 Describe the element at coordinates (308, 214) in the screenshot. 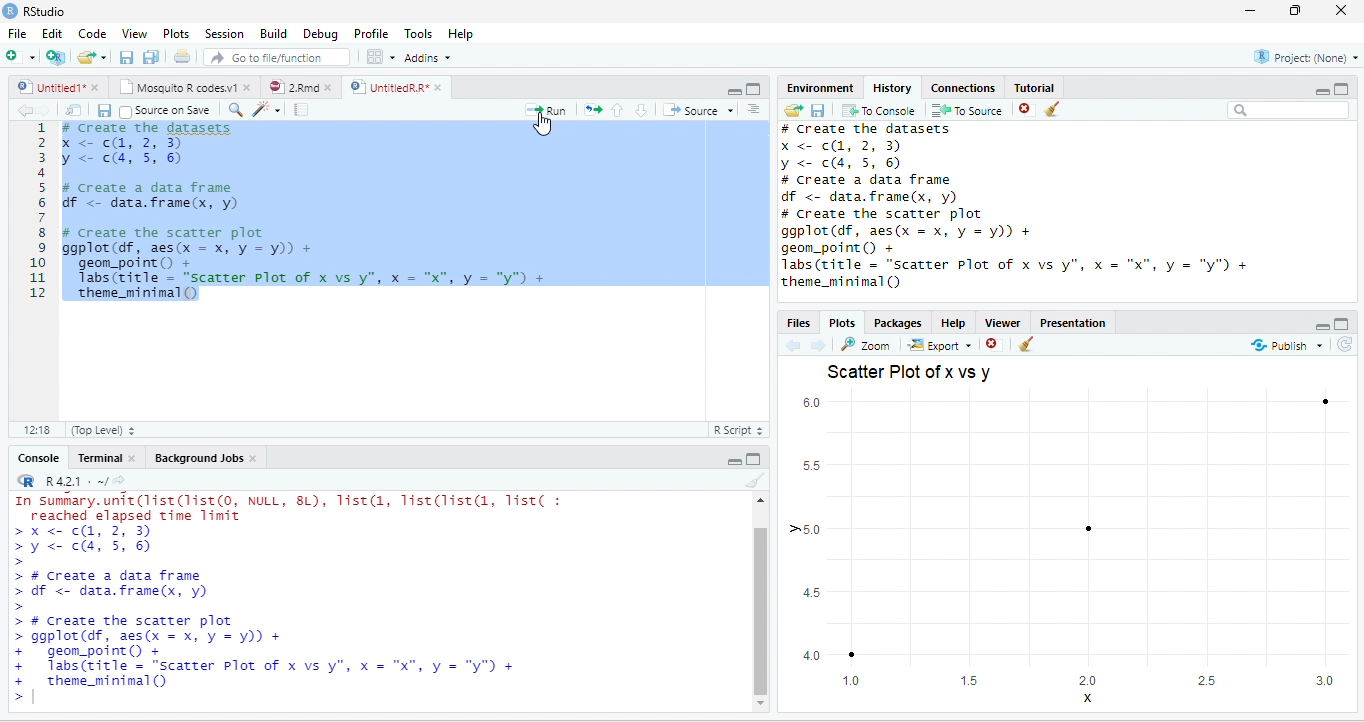

I see `# Create the datasets
x <- cQ1, 2, 3)
y < c@, 5. 6
# Create a data frame
of <- data.frame(x, y)
# Create the scatter plot
ggplot (df, aes(x = x, y = y)) +
geom_point() +
Tabs (title = "scatter Plot of x vs y", x = "x", y = "y") +
‘theme_minimal()` at that location.